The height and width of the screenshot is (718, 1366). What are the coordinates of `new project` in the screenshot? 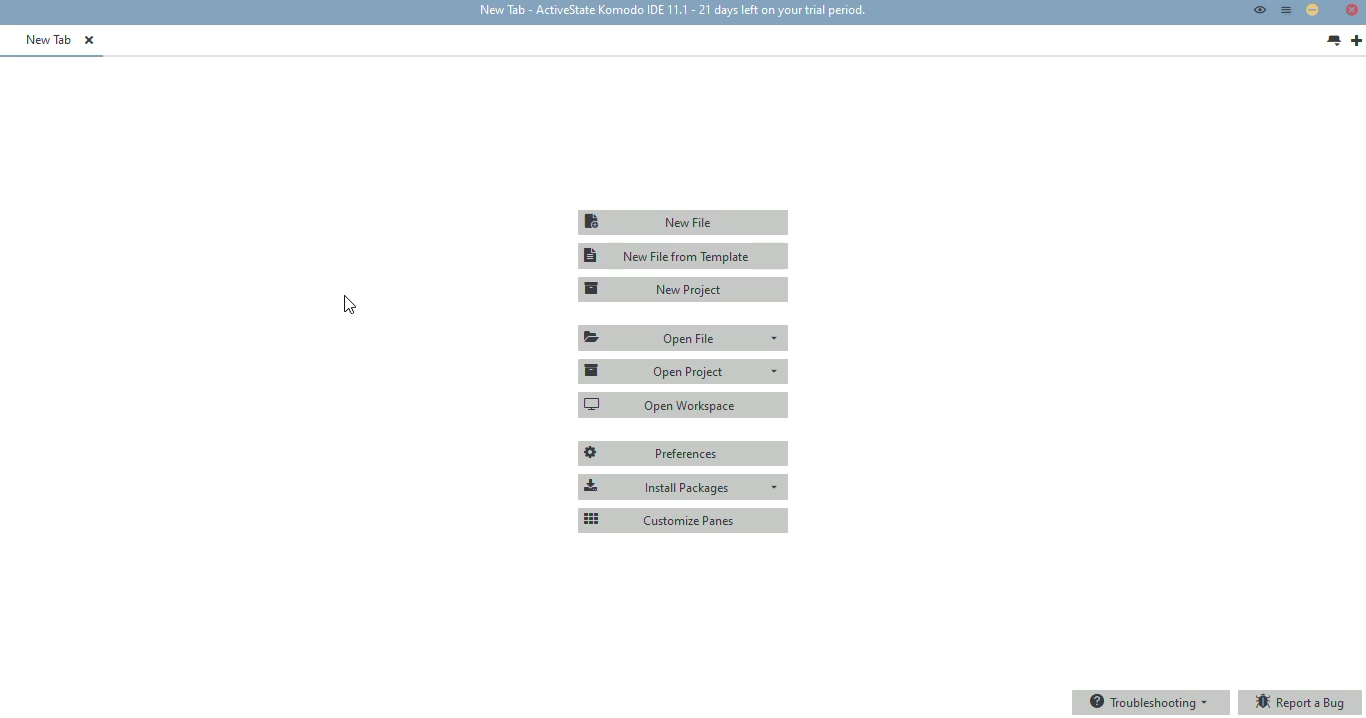 It's located at (683, 289).